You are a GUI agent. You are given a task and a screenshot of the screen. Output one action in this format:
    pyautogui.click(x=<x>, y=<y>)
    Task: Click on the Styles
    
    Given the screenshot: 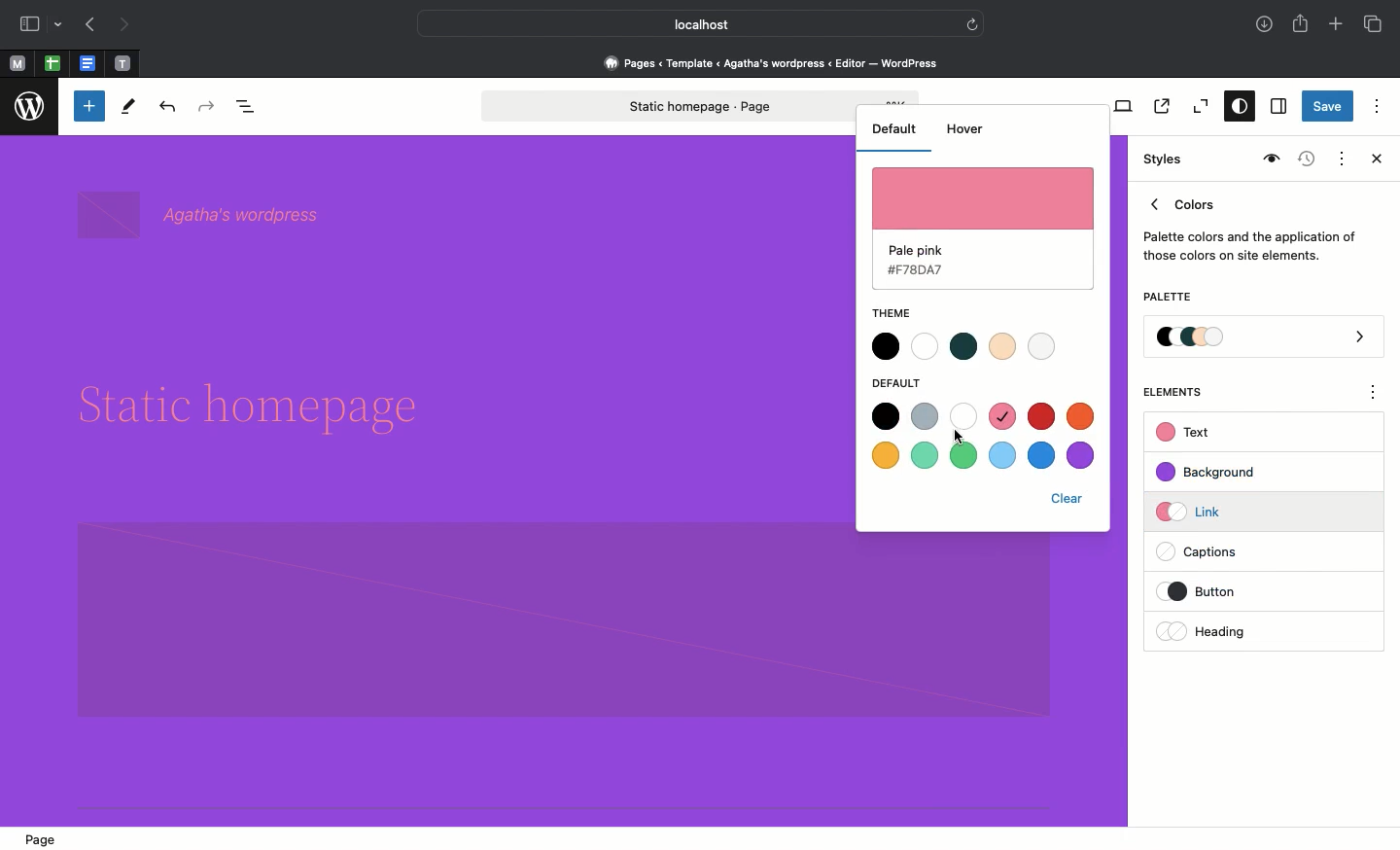 What is the action you would take?
    pyautogui.click(x=1235, y=108)
    